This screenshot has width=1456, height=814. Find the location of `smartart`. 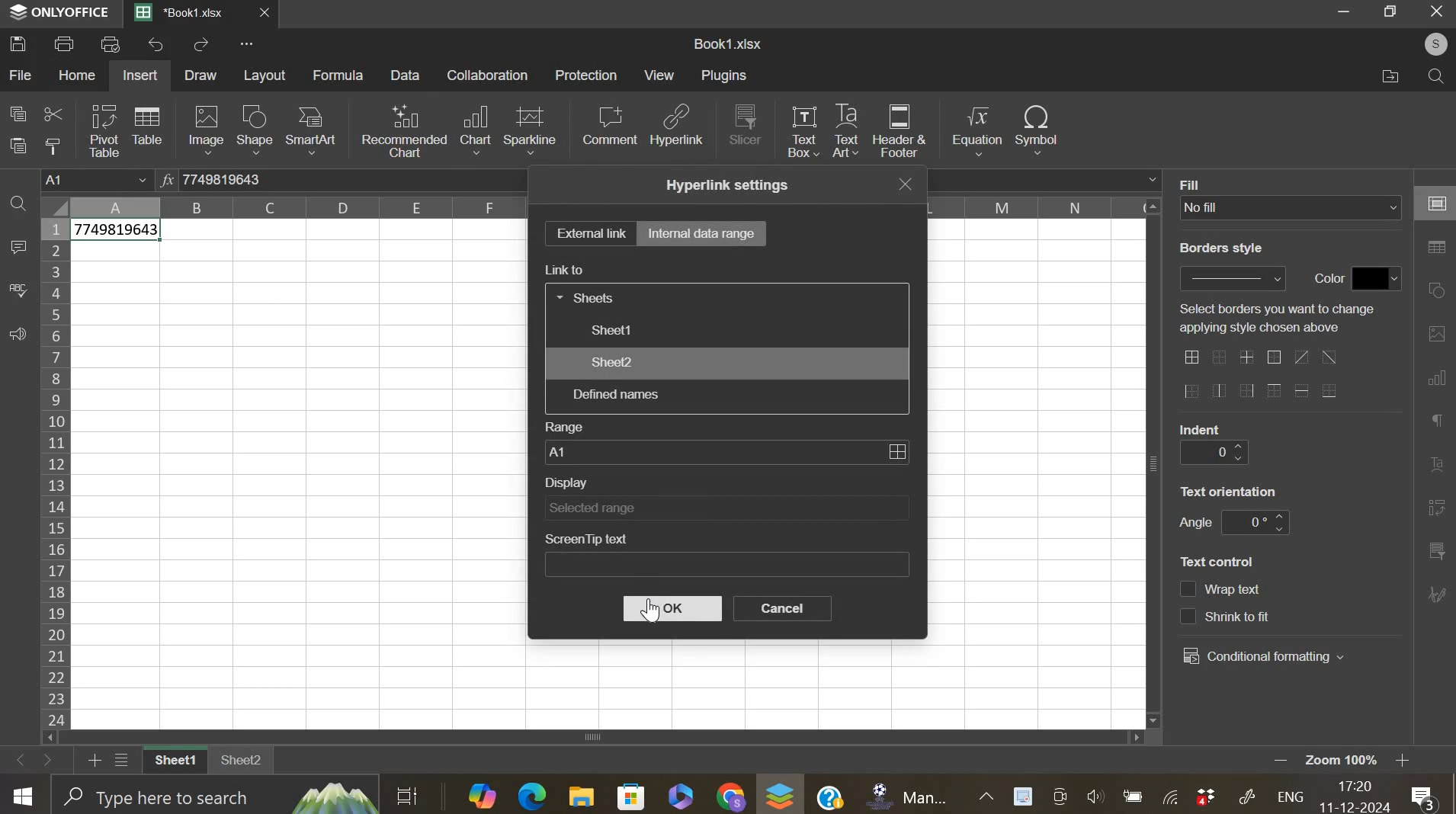

smartart is located at coordinates (309, 129).